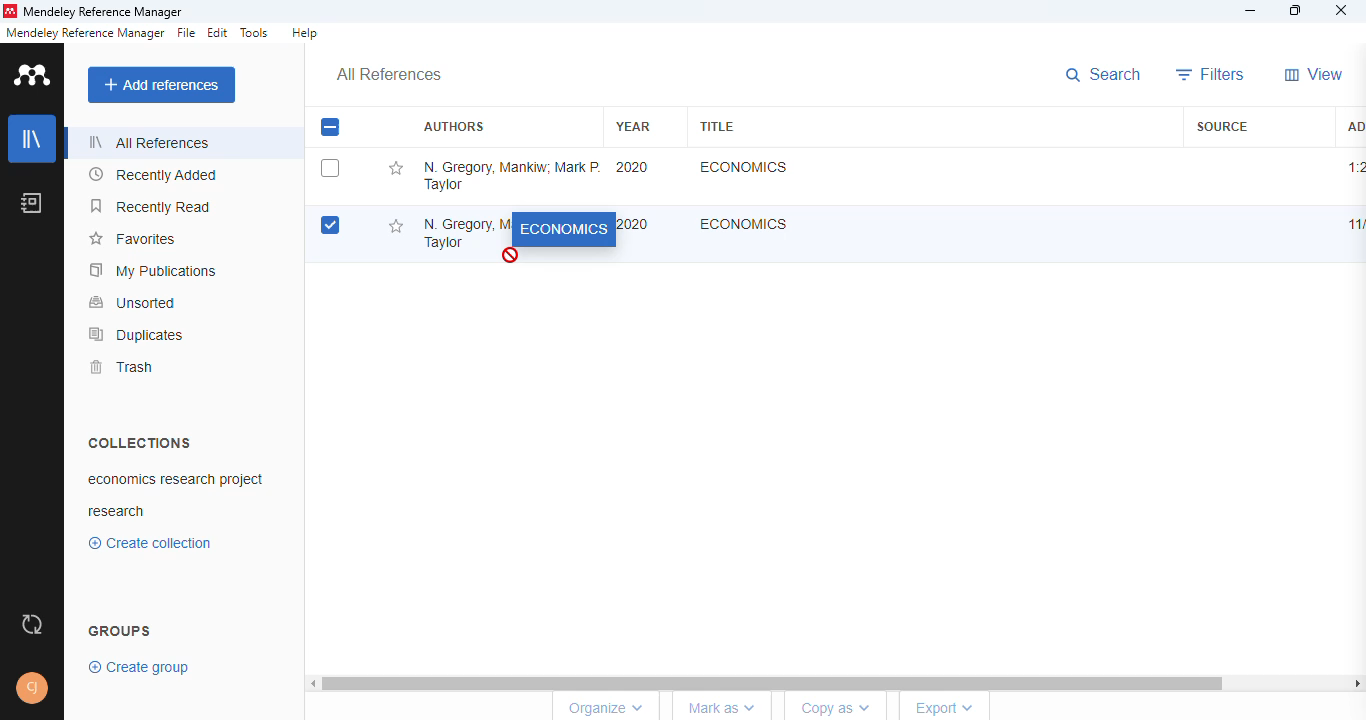 The image size is (1366, 720). I want to click on view, so click(1314, 74).